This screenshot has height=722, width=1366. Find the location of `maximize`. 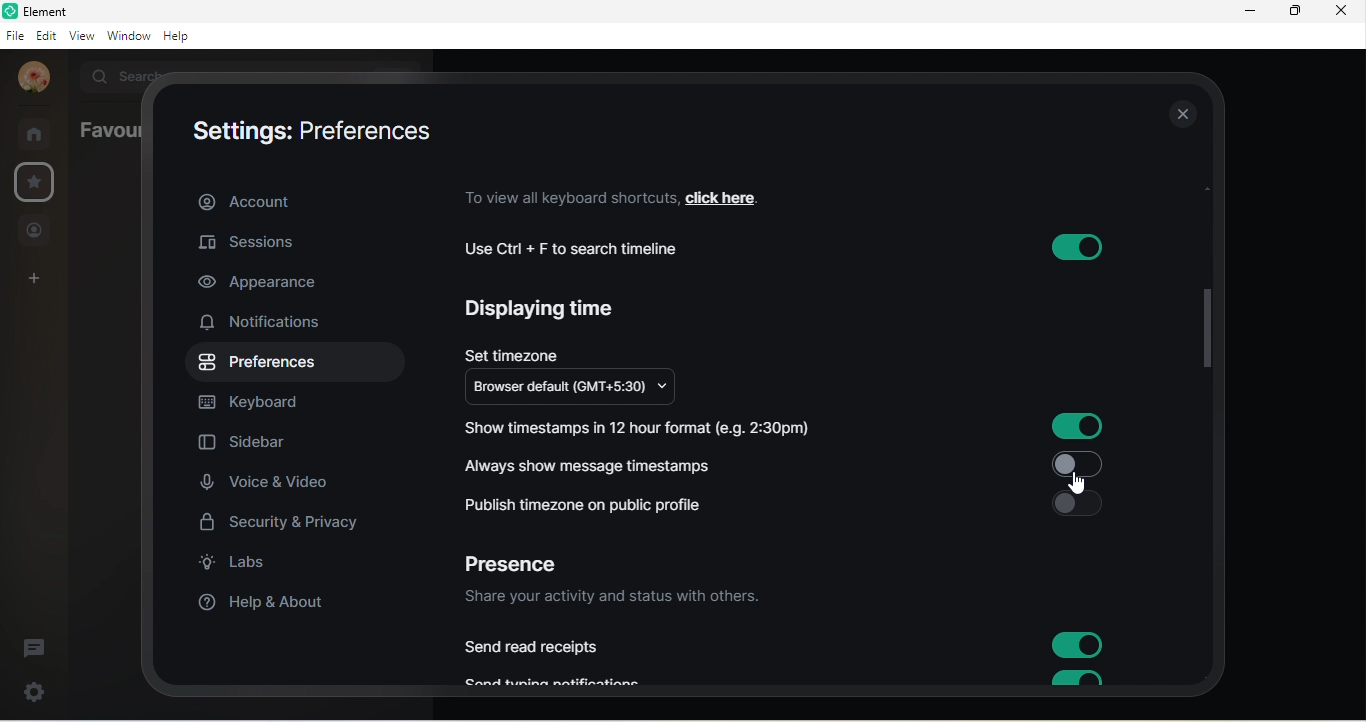

maximize is located at coordinates (1293, 13).